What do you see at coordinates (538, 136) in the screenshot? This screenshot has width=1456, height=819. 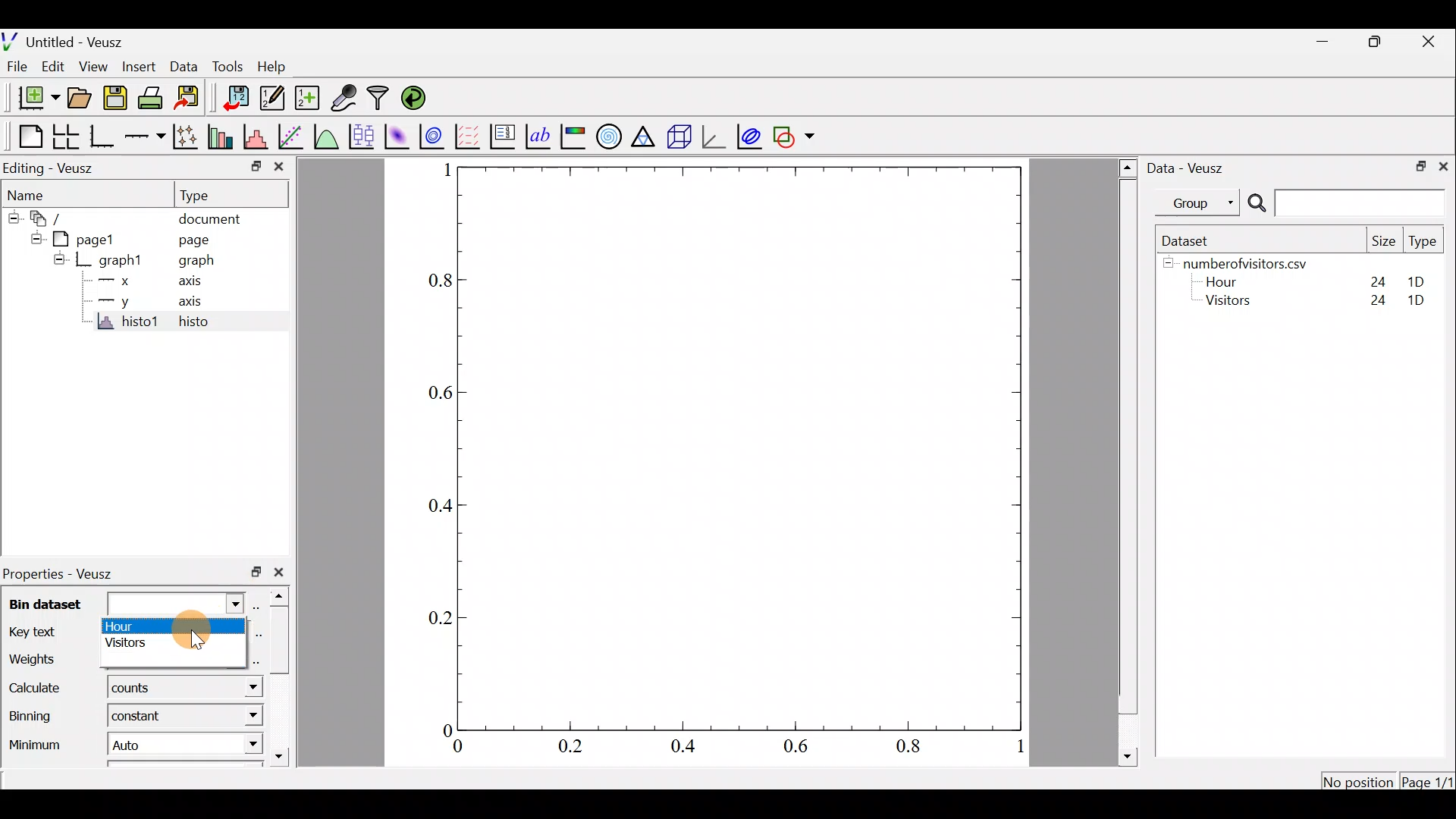 I see `text label` at bounding box center [538, 136].